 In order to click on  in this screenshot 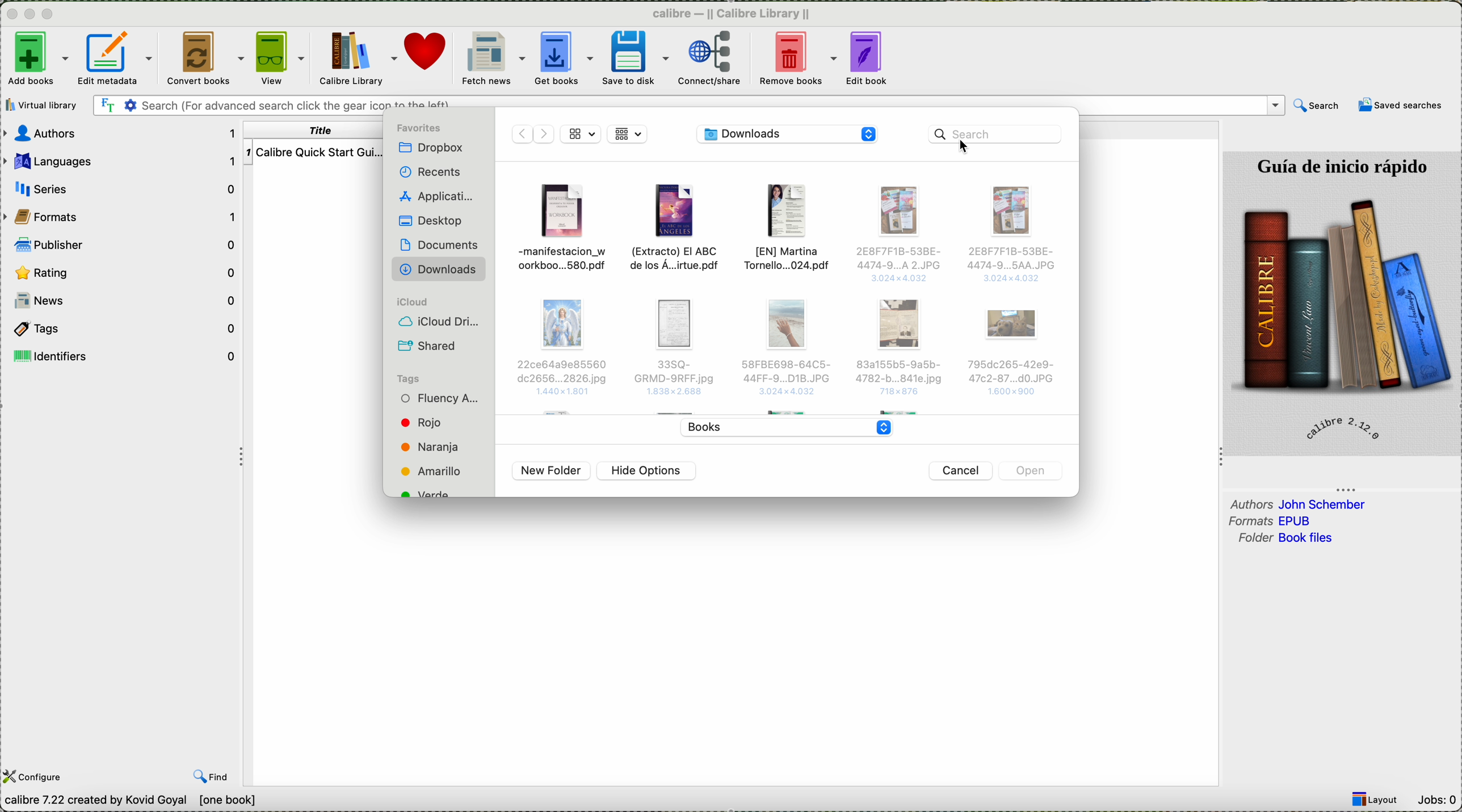, I will do `click(788, 346)`.